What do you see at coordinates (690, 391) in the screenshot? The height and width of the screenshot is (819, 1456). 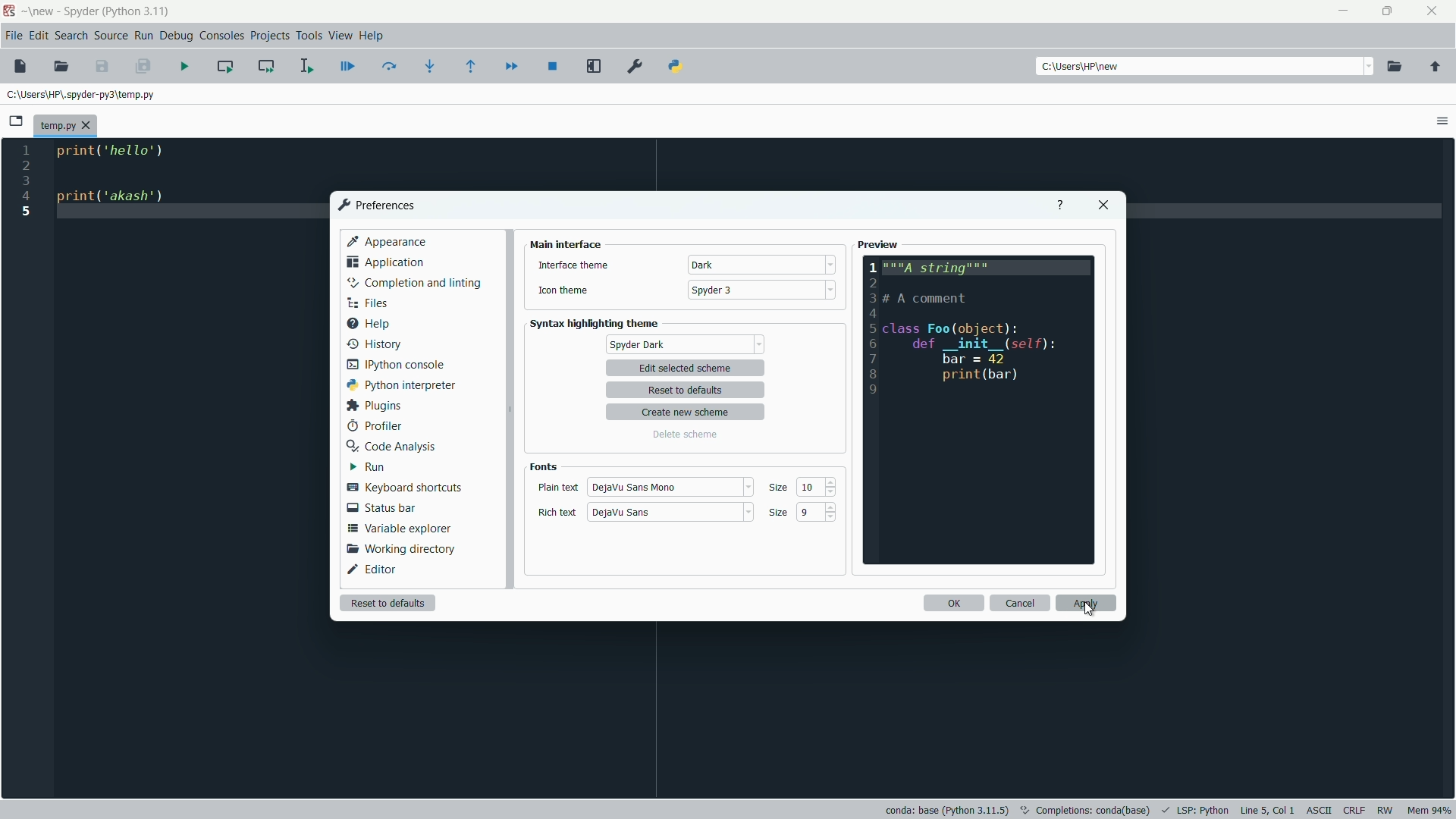 I see `reset to defaults` at bounding box center [690, 391].